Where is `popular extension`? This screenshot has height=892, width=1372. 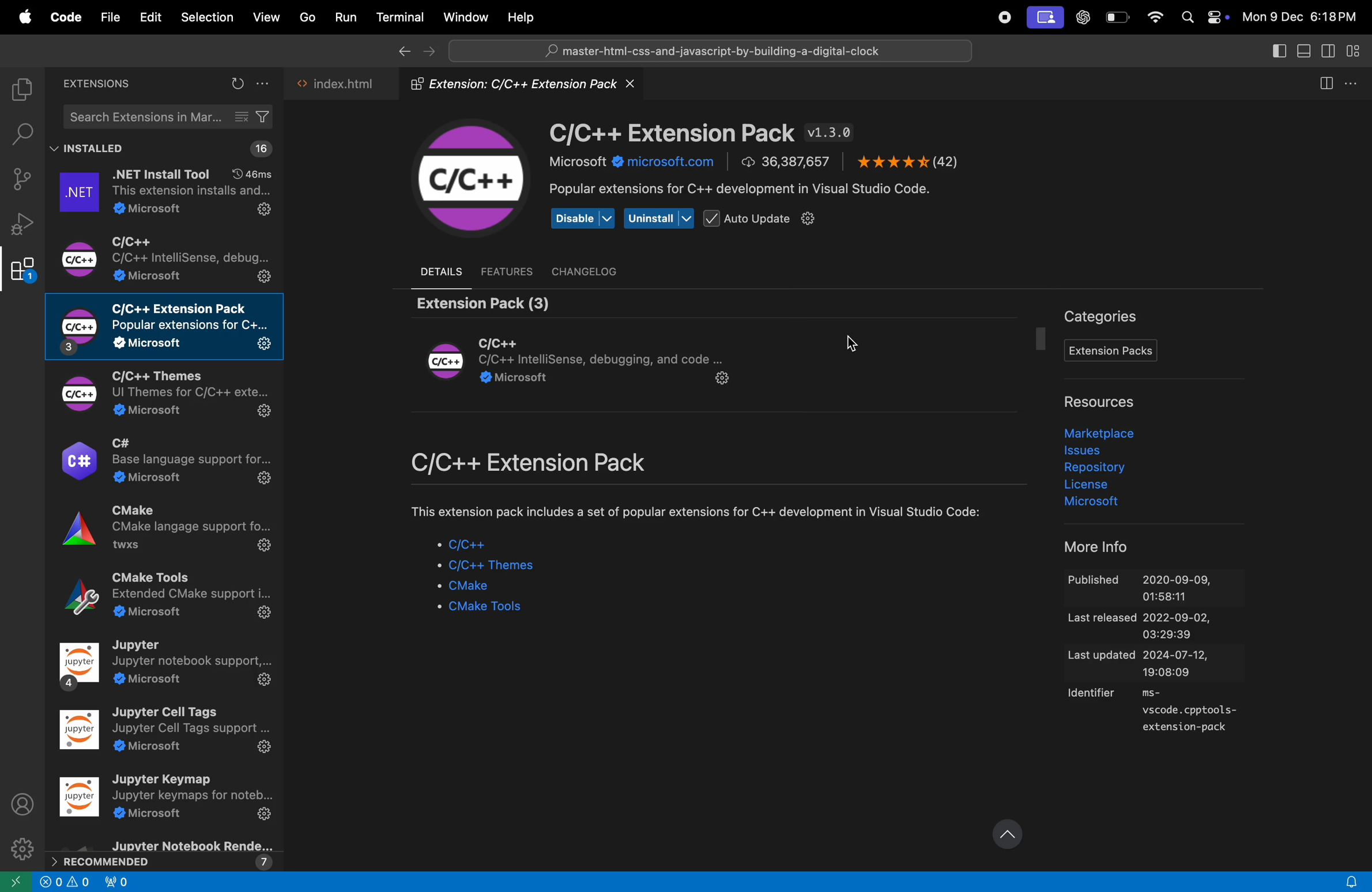
popular extension is located at coordinates (748, 191).